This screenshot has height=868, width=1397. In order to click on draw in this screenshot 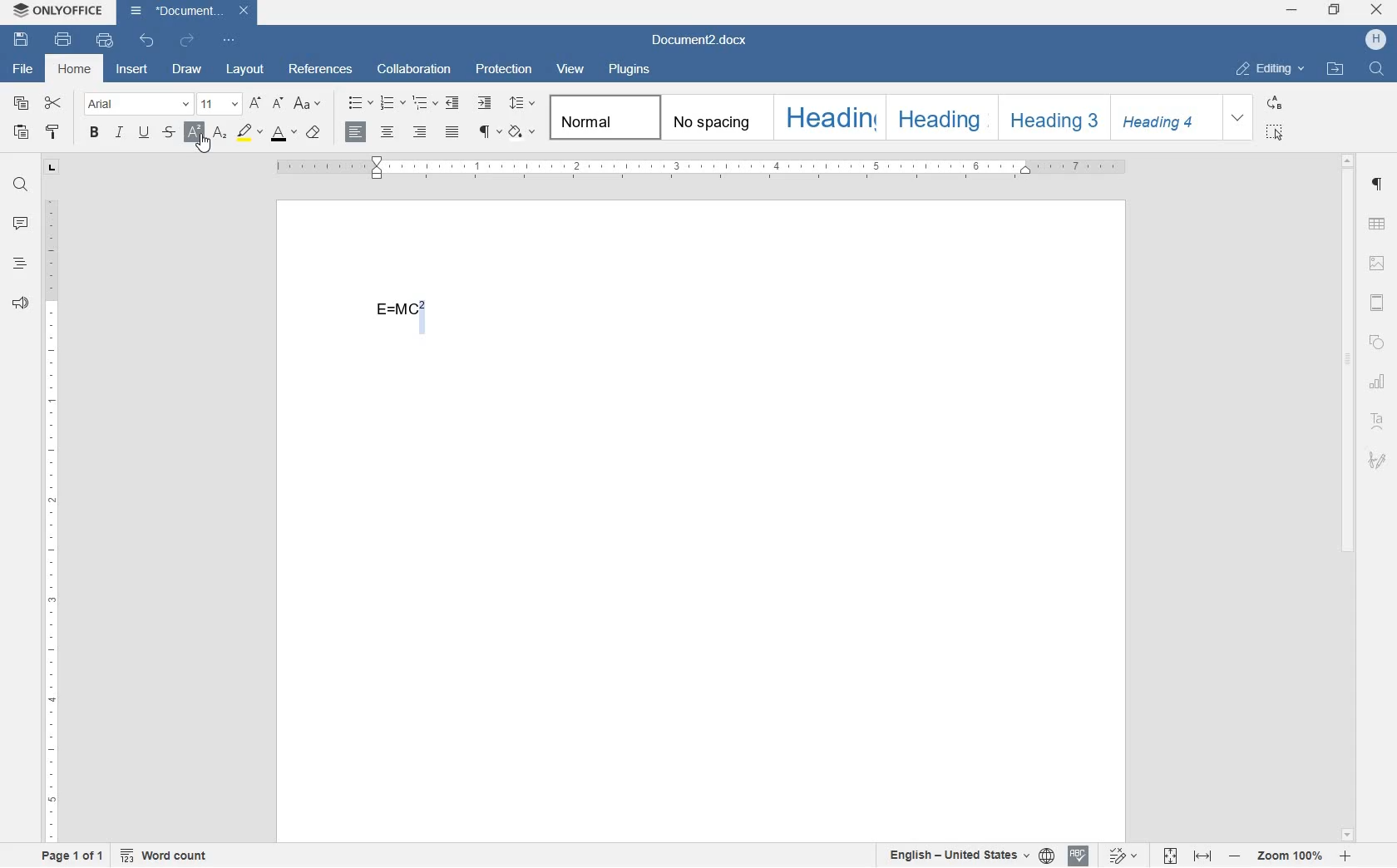, I will do `click(186, 72)`.